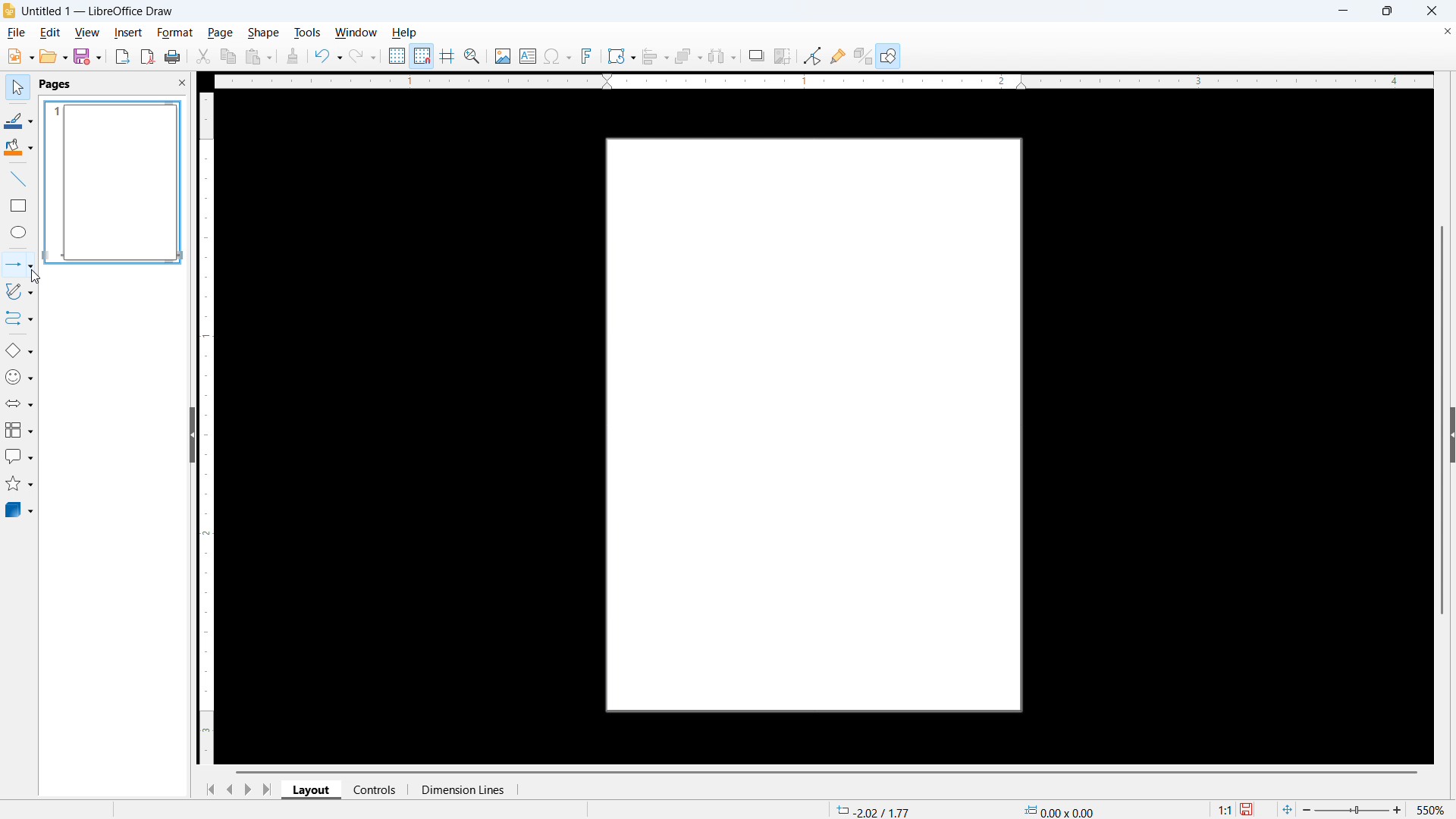 The image size is (1456, 819). What do you see at coordinates (53, 56) in the screenshot?
I see `open ` at bounding box center [53, 56].